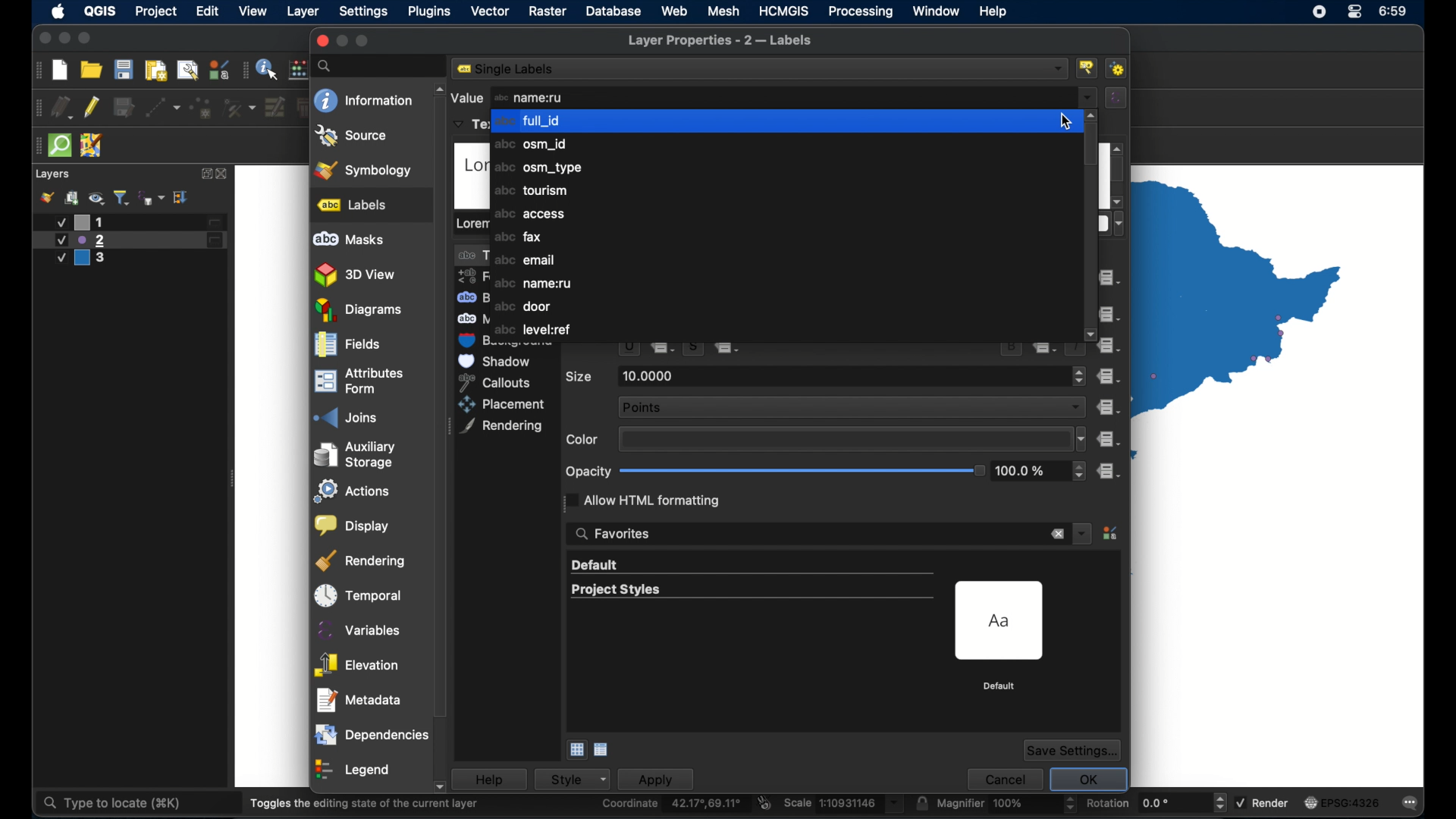  What do you see at coordinates (579, 376) in the screenshot?
I see `size` at bounding box center [579, 376].